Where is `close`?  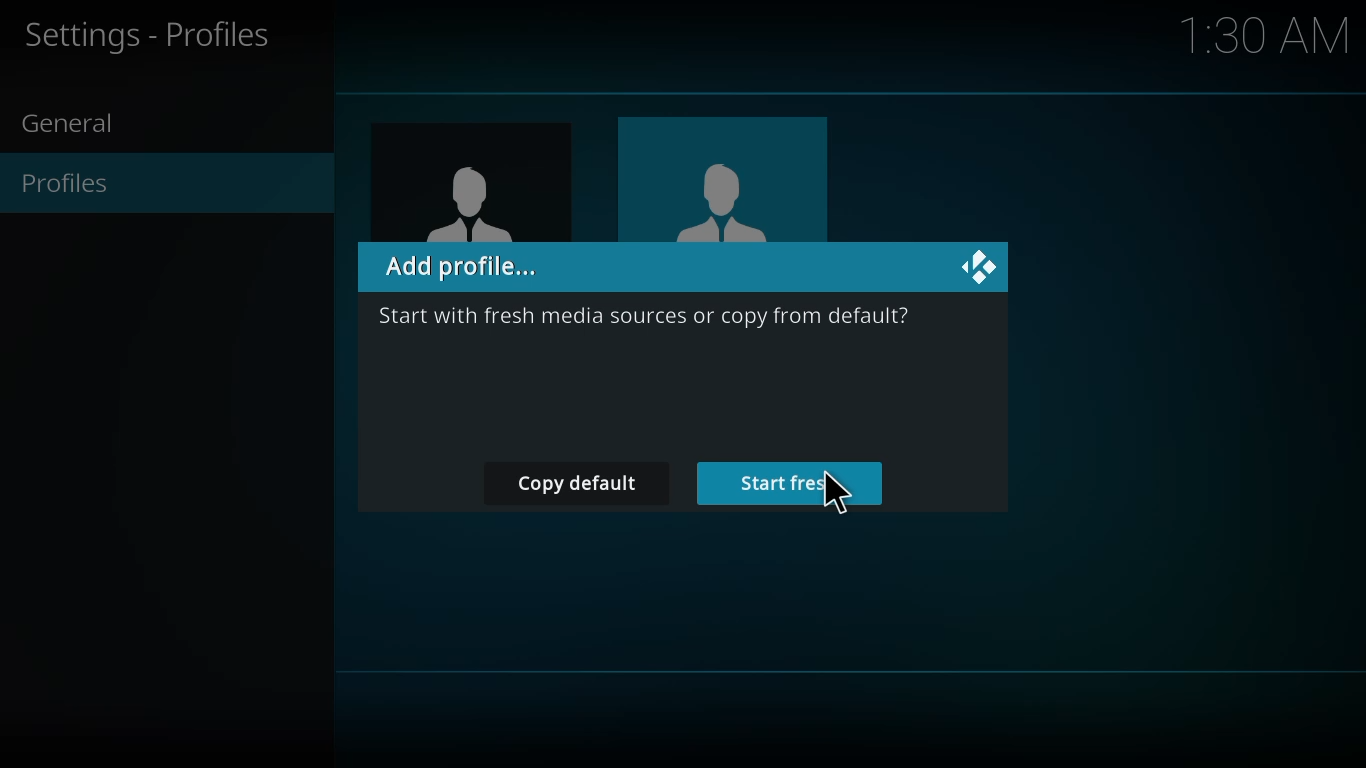 close is located at coordinates (983, 266).